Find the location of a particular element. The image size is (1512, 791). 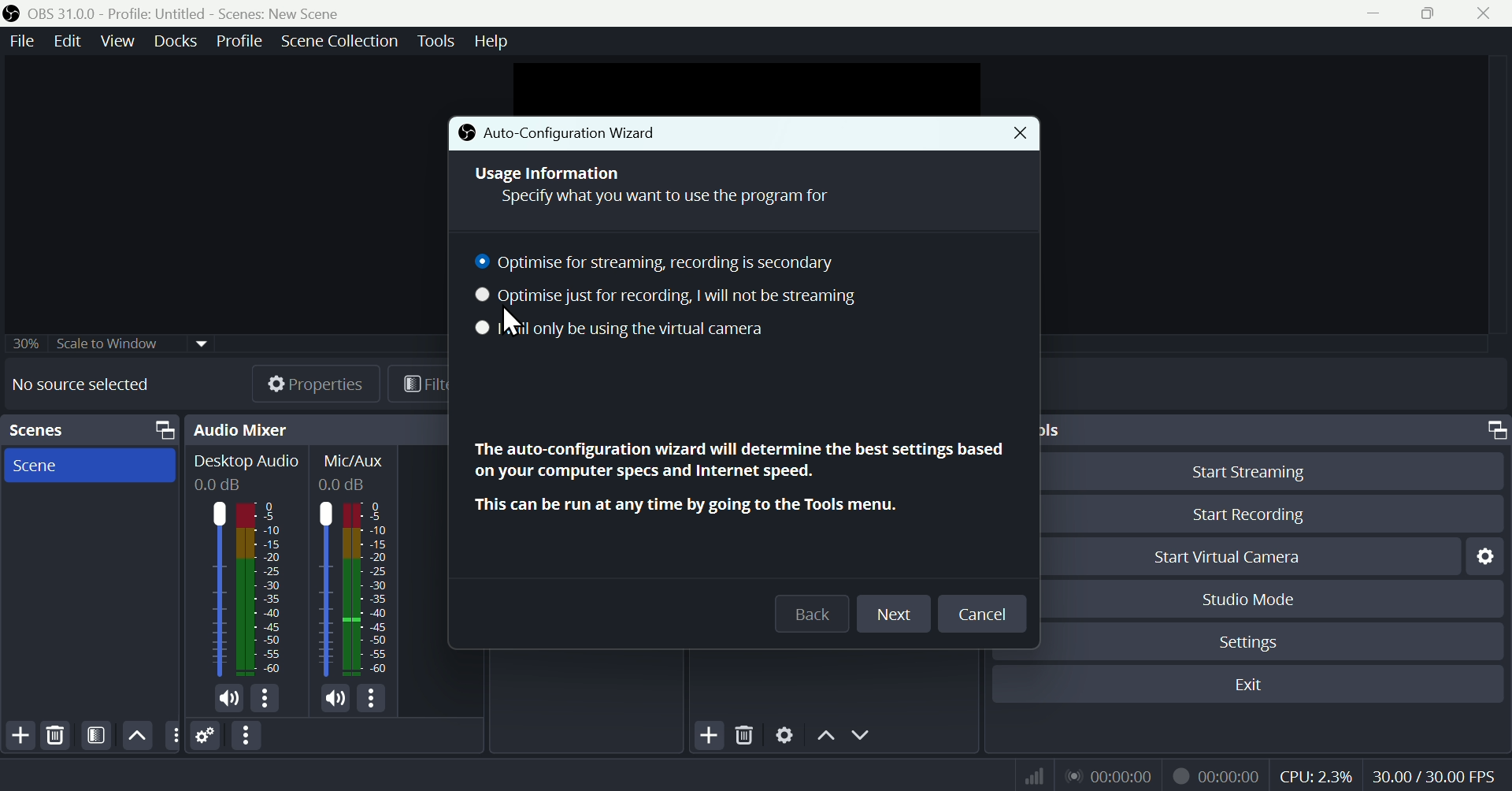

Delete is located at coordinates (57, 735).